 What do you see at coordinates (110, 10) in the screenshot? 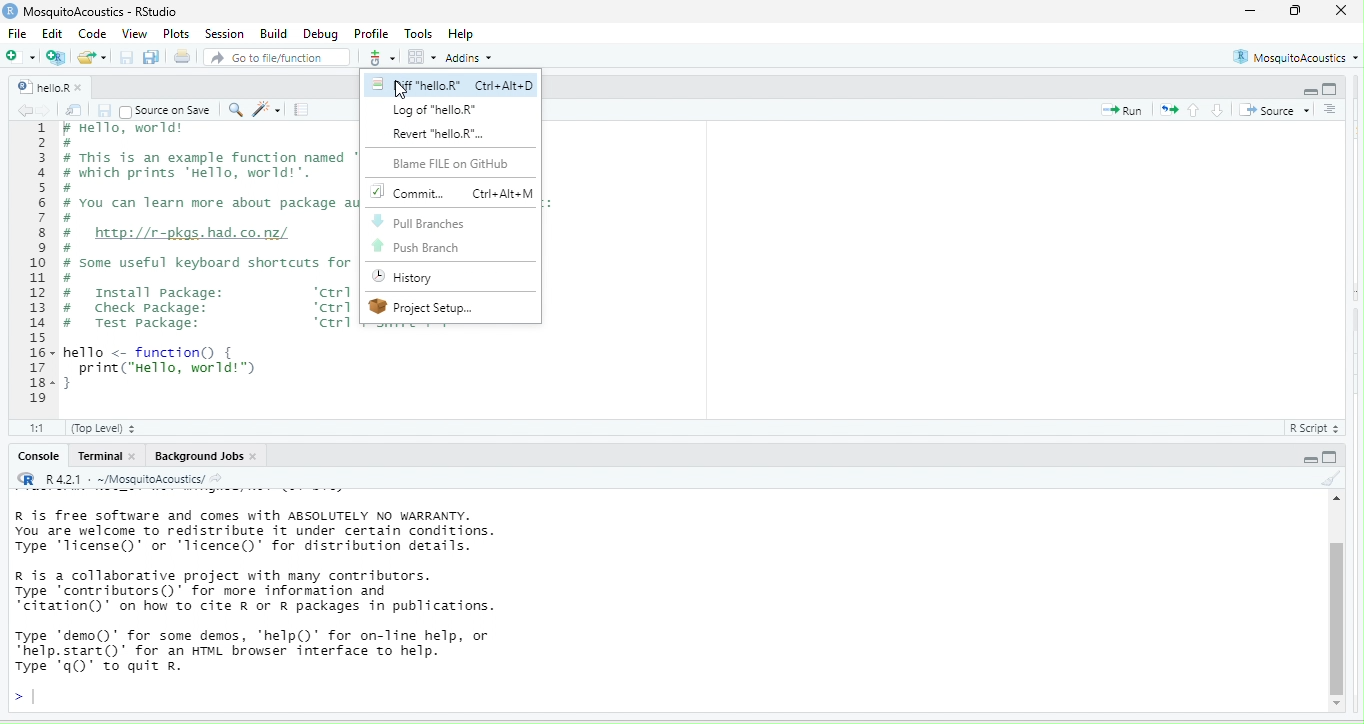
I see `MosquitoAcoustics - RStudio` at bounding box center [110, 10].